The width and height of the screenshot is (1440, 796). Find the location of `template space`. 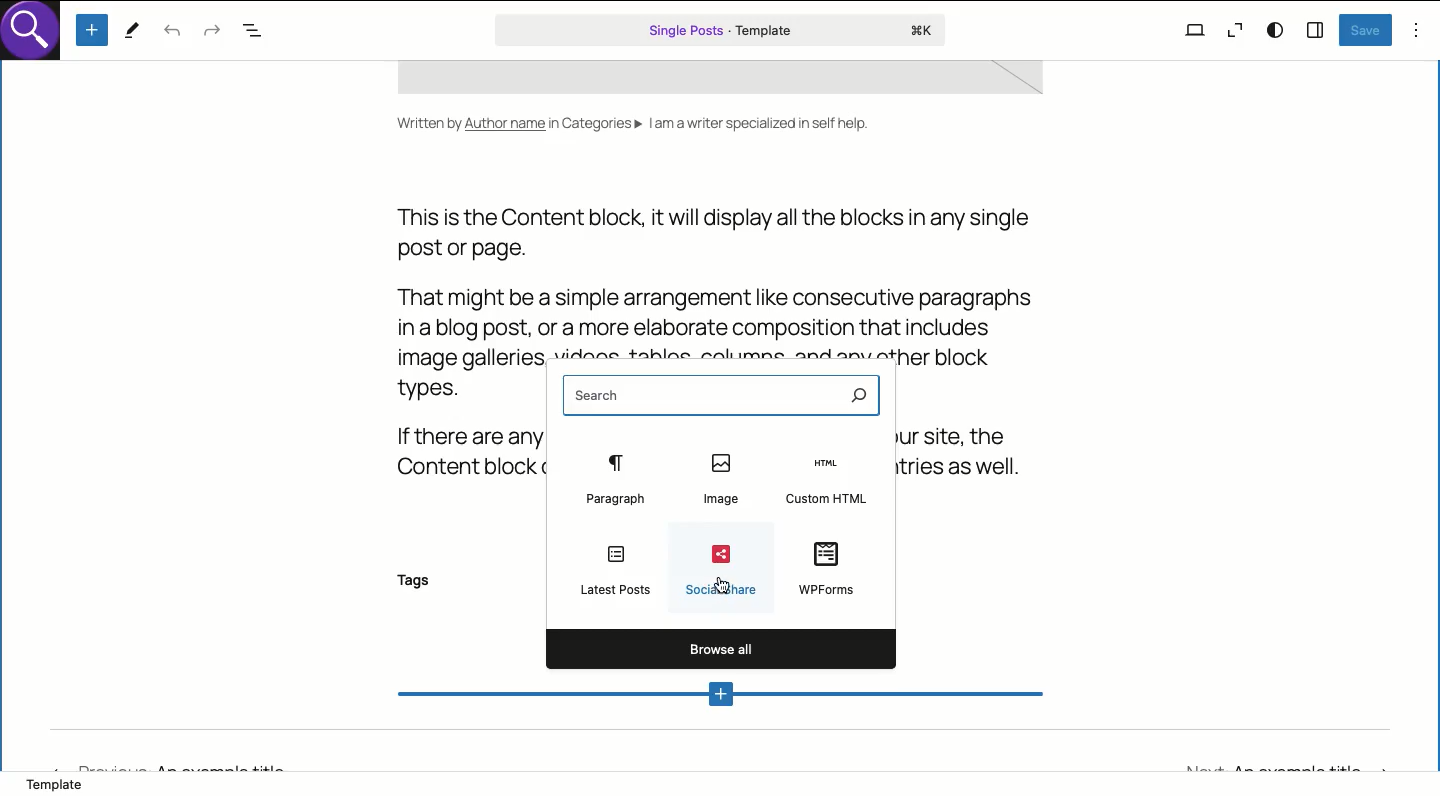

template space is located at coordinates (733, 81).